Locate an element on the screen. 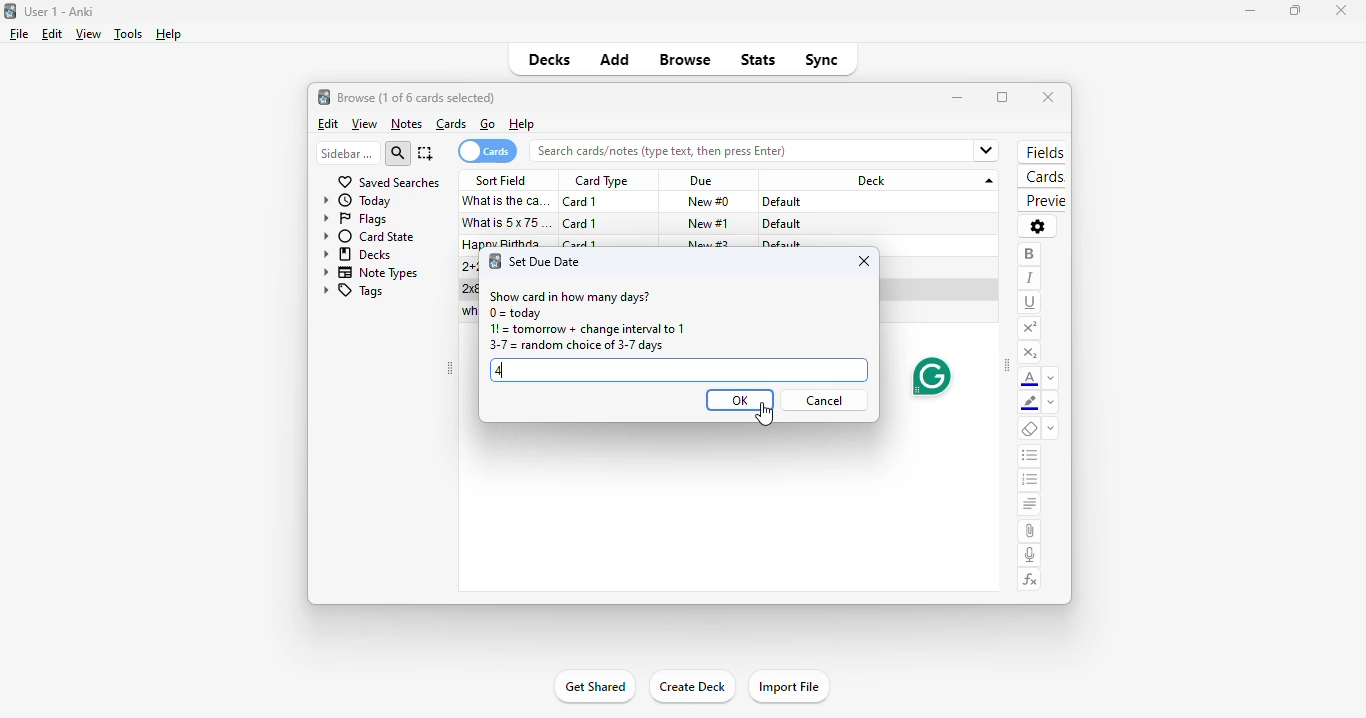 The width and height of the screenshot is (1366, 718). sync is located at coordinates (821, 60).